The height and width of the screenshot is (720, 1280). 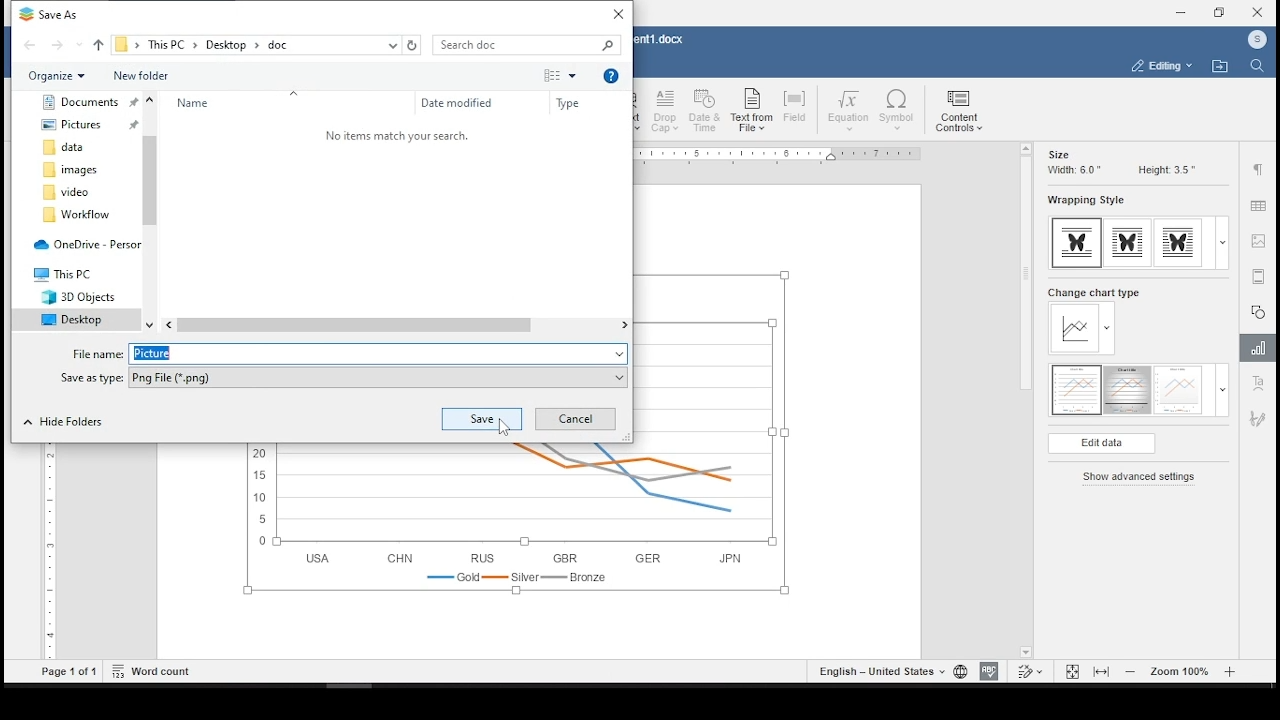 I want to click on save, so click(x=480, y=418).